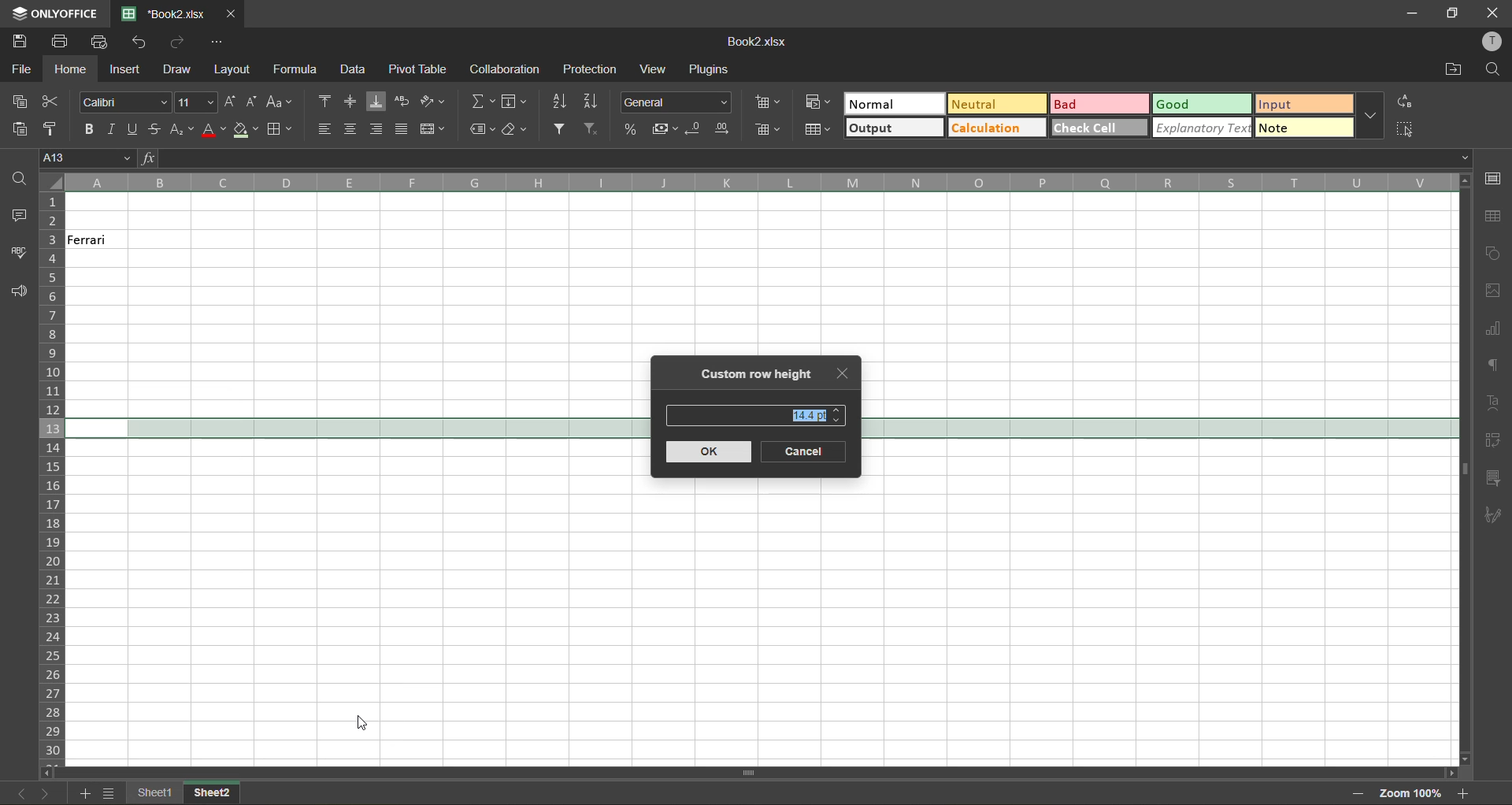  Describe the element at coordinates (997, 128) in the screenshot. I see `calculation` at that location.